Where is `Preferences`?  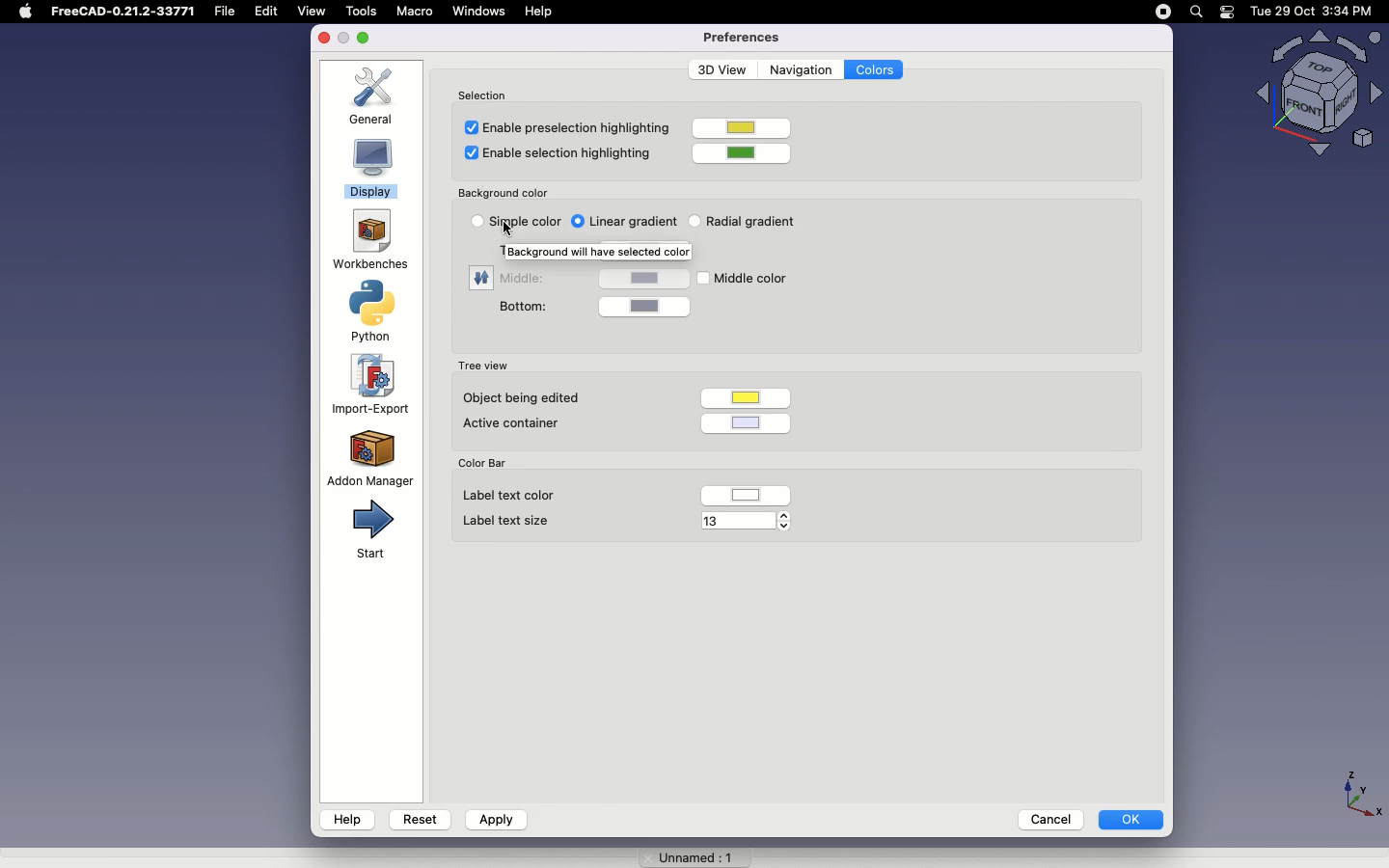 Preferences is located at coordinates (741, 37).